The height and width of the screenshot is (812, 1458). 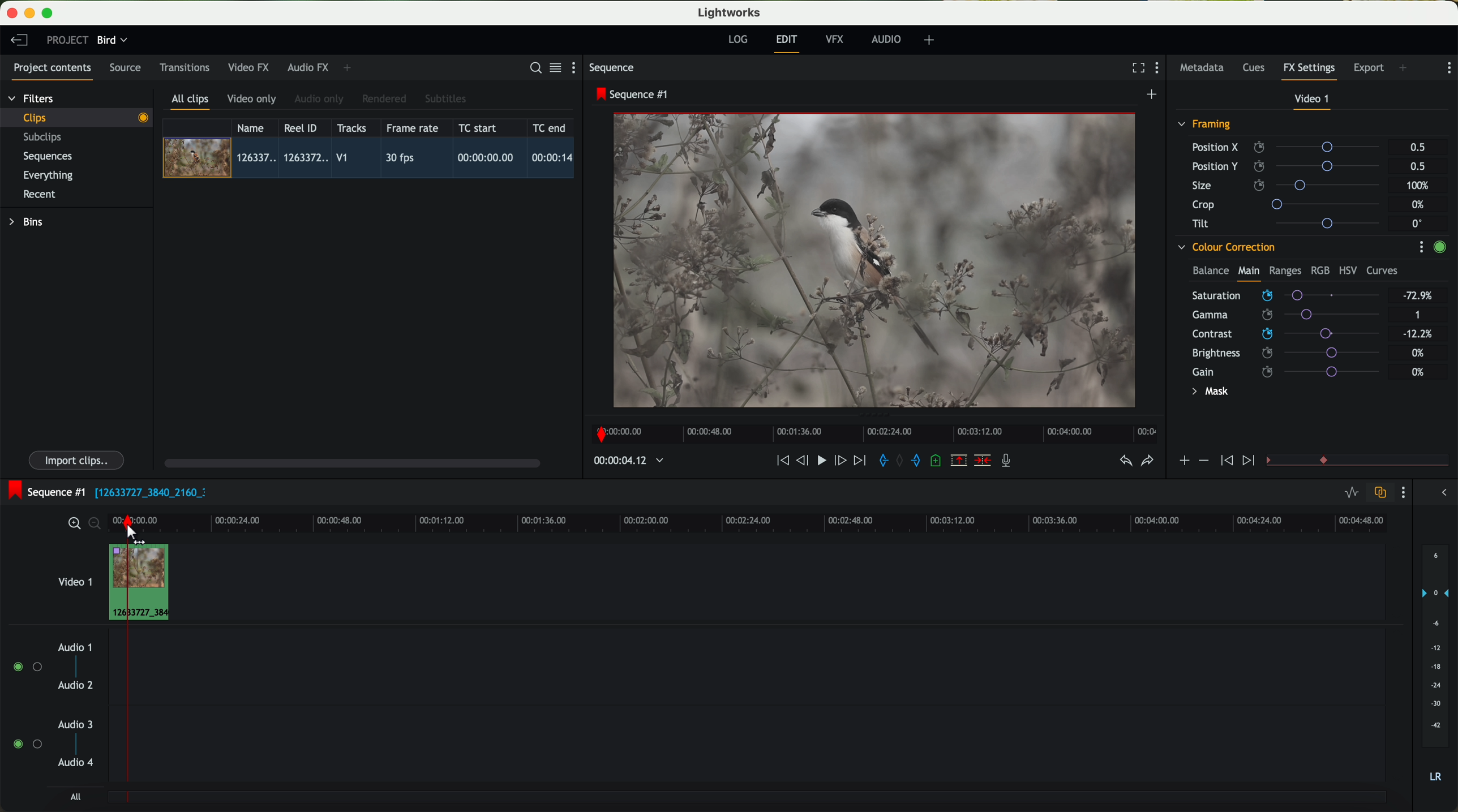 I want to click on subclips, so click(x=45, y=138).